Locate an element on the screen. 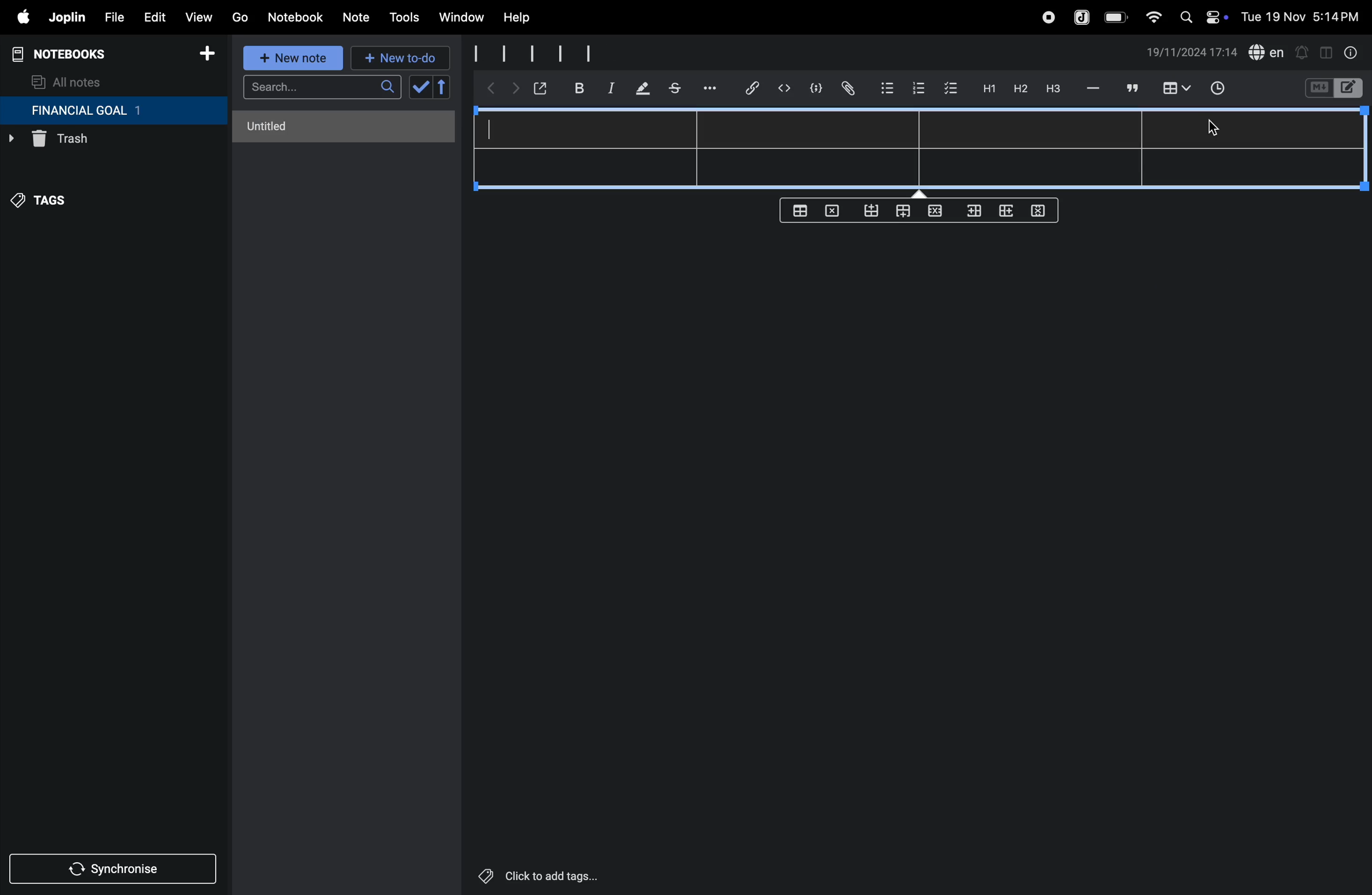 The width and height of the screenshot is (1372, 895). wifi is located at coordinates (1150, 17).